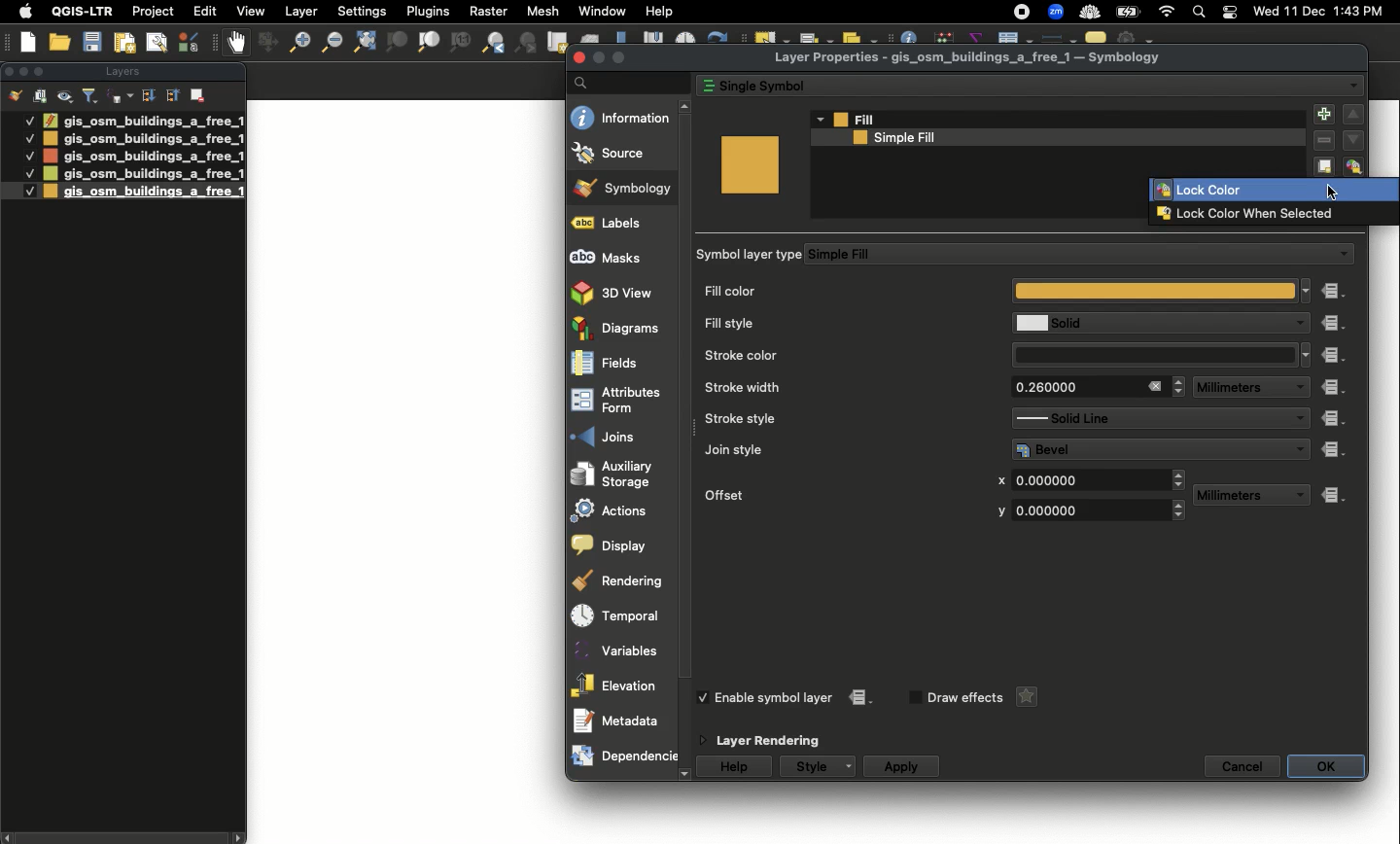  What do you see at coordinates (618, 510) in the screenshot?
I see `Actions` at bounding box center [618, 510].